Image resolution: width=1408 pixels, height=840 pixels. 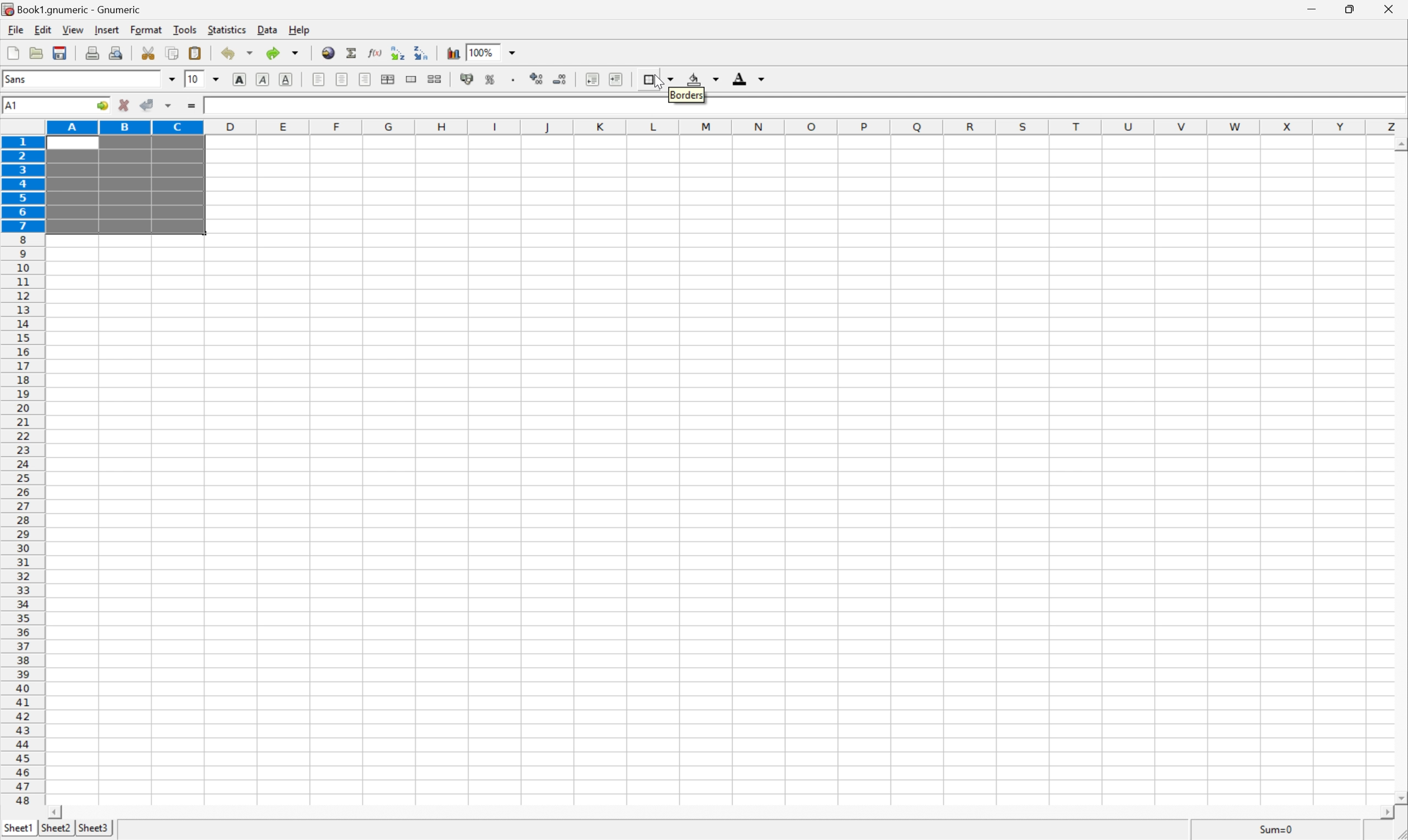 What do you see at coordinates (106, 30) in the screenshot?
I see `insert` at bounding box center [106, 30].